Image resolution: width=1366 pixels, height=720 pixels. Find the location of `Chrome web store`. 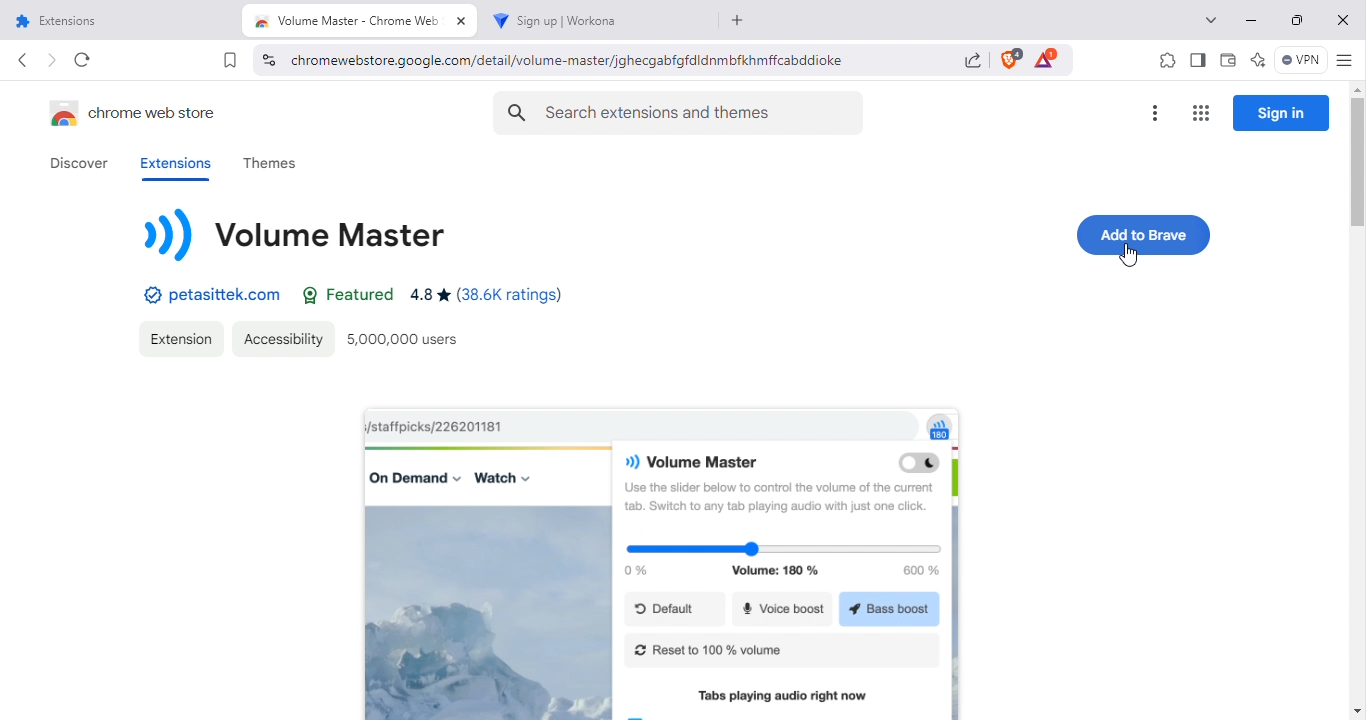

Chrome web store is located at coordinates (132, 111).